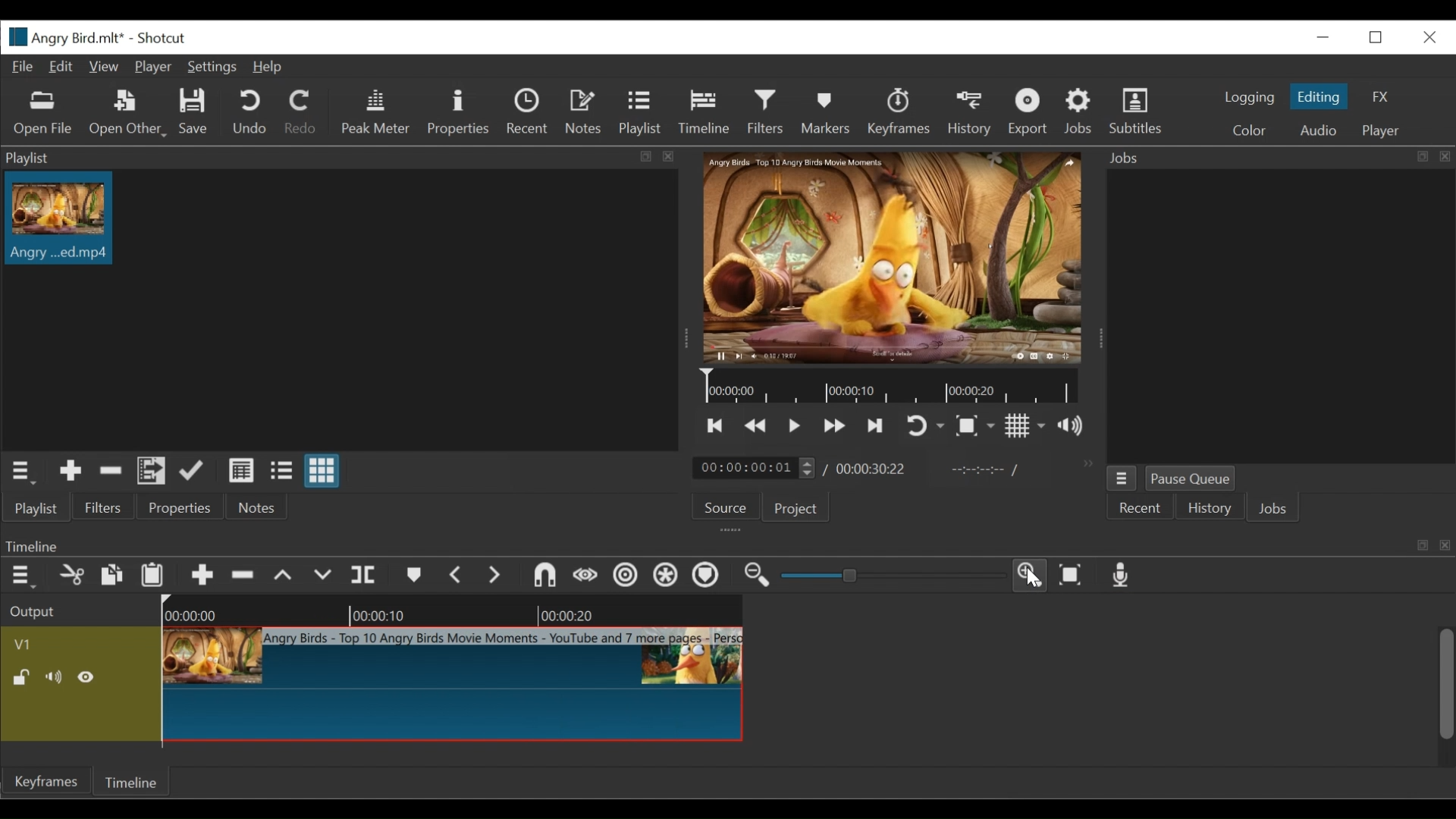 Image resolution: width=1456 pixels, height=819 pixels. Describe the element at coordinates (194, 472) in the screenshot. I see `Append` at that location.